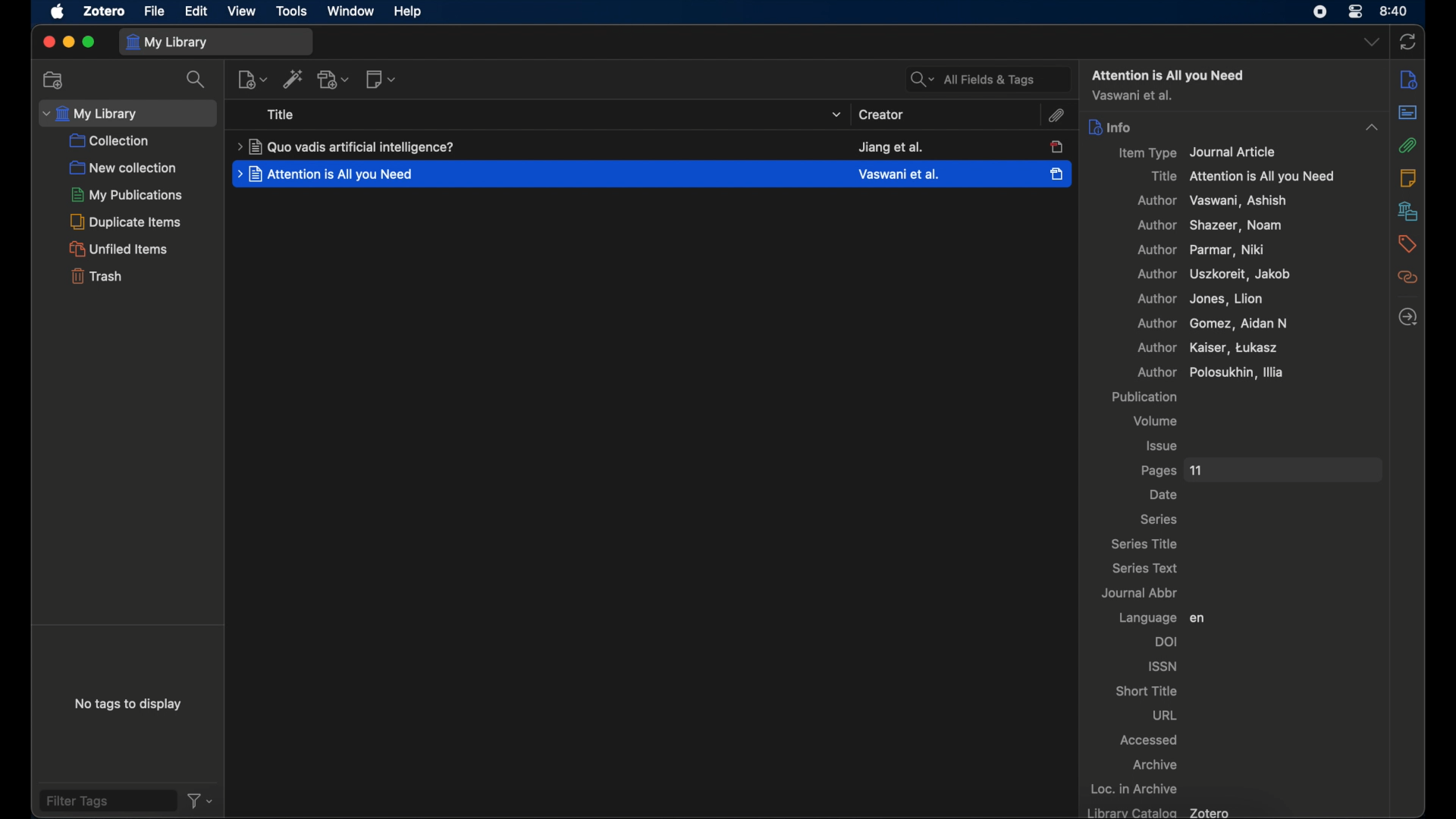 The width and height of the screenshot is (1456, 819). Describe the element at coordinates (1217, 275) in the screenshot. I see `author, uszkoreit, jacob` at that location.